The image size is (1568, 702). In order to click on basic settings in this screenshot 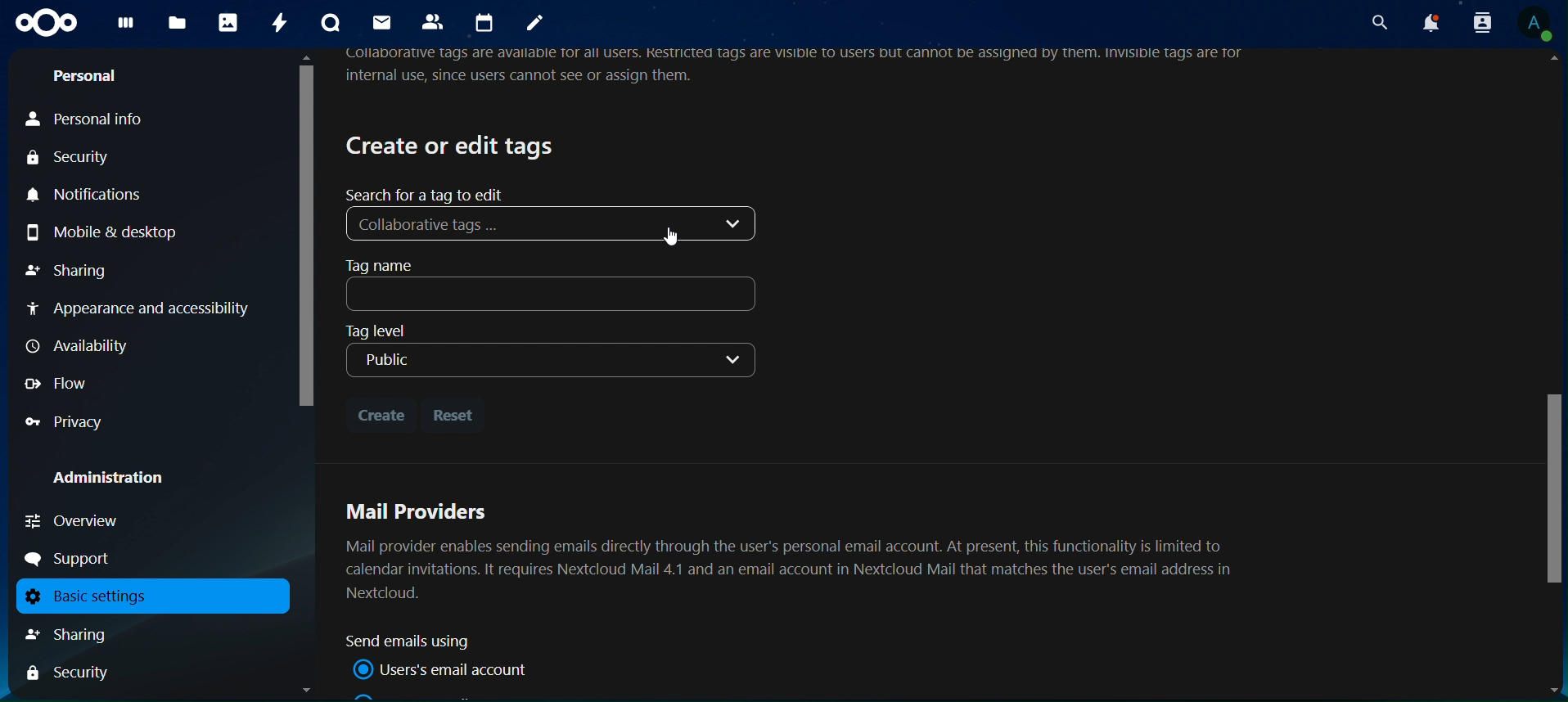, I will do `click(146, 596)`.